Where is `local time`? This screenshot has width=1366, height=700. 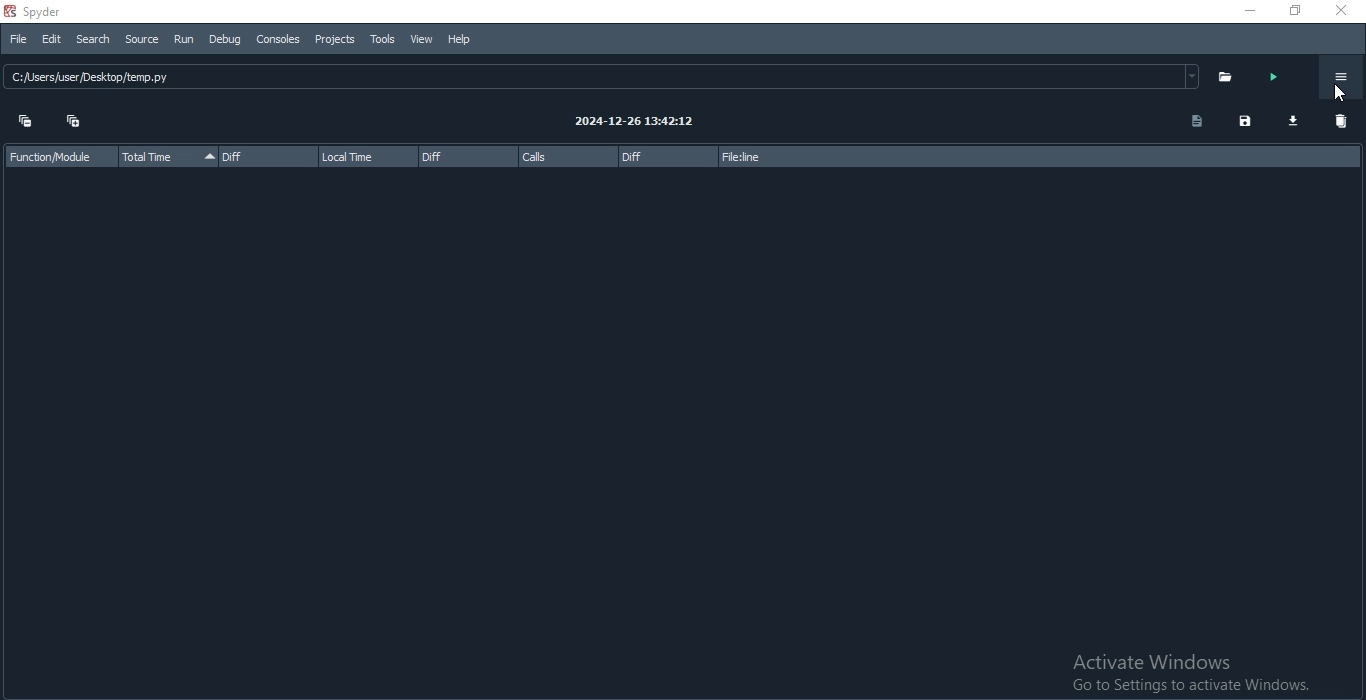
local time is located at coordinates (367, 155).